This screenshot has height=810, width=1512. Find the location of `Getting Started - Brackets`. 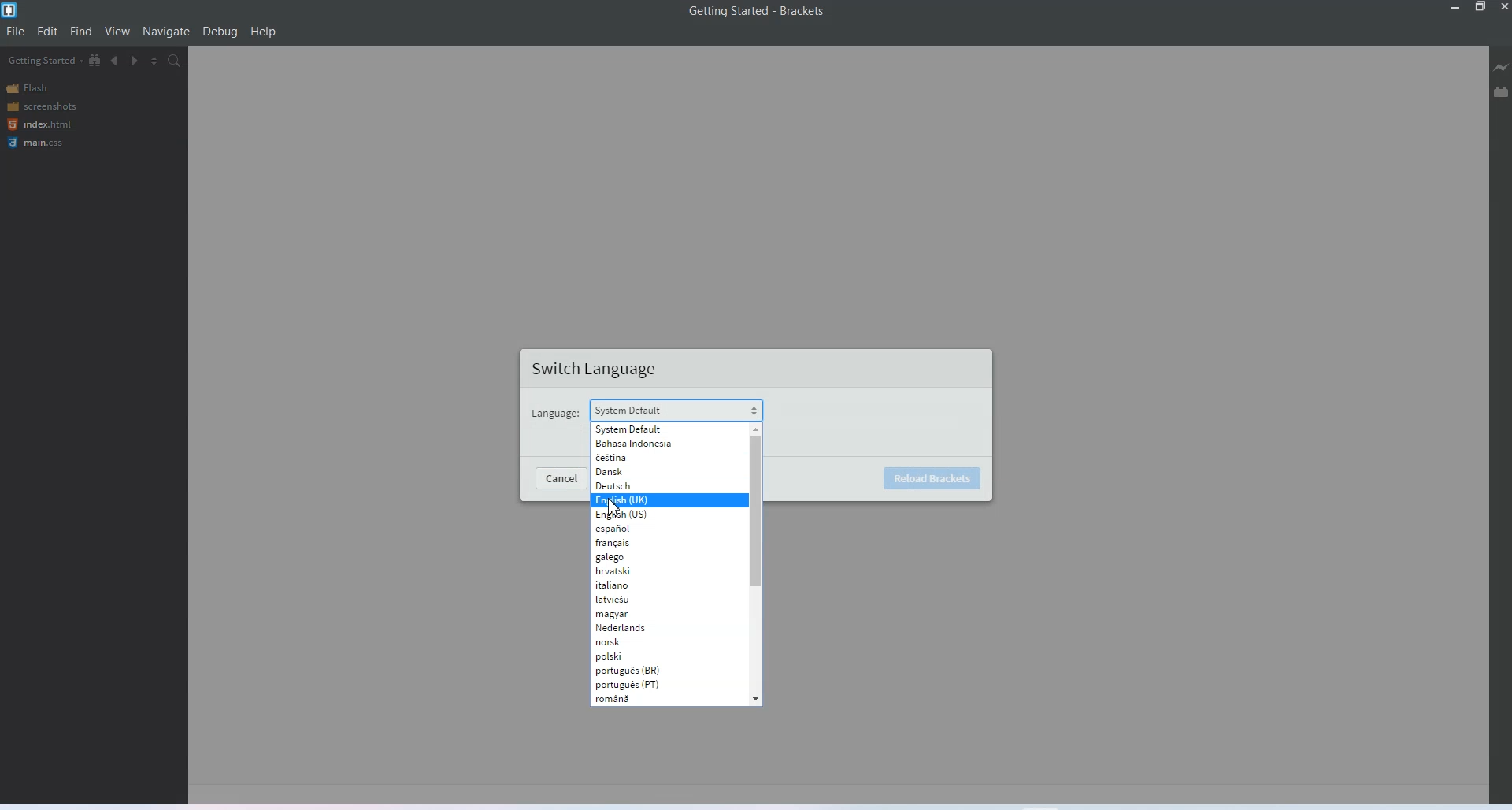

Getting Started - Brackets is located at coordinates (756, 12).